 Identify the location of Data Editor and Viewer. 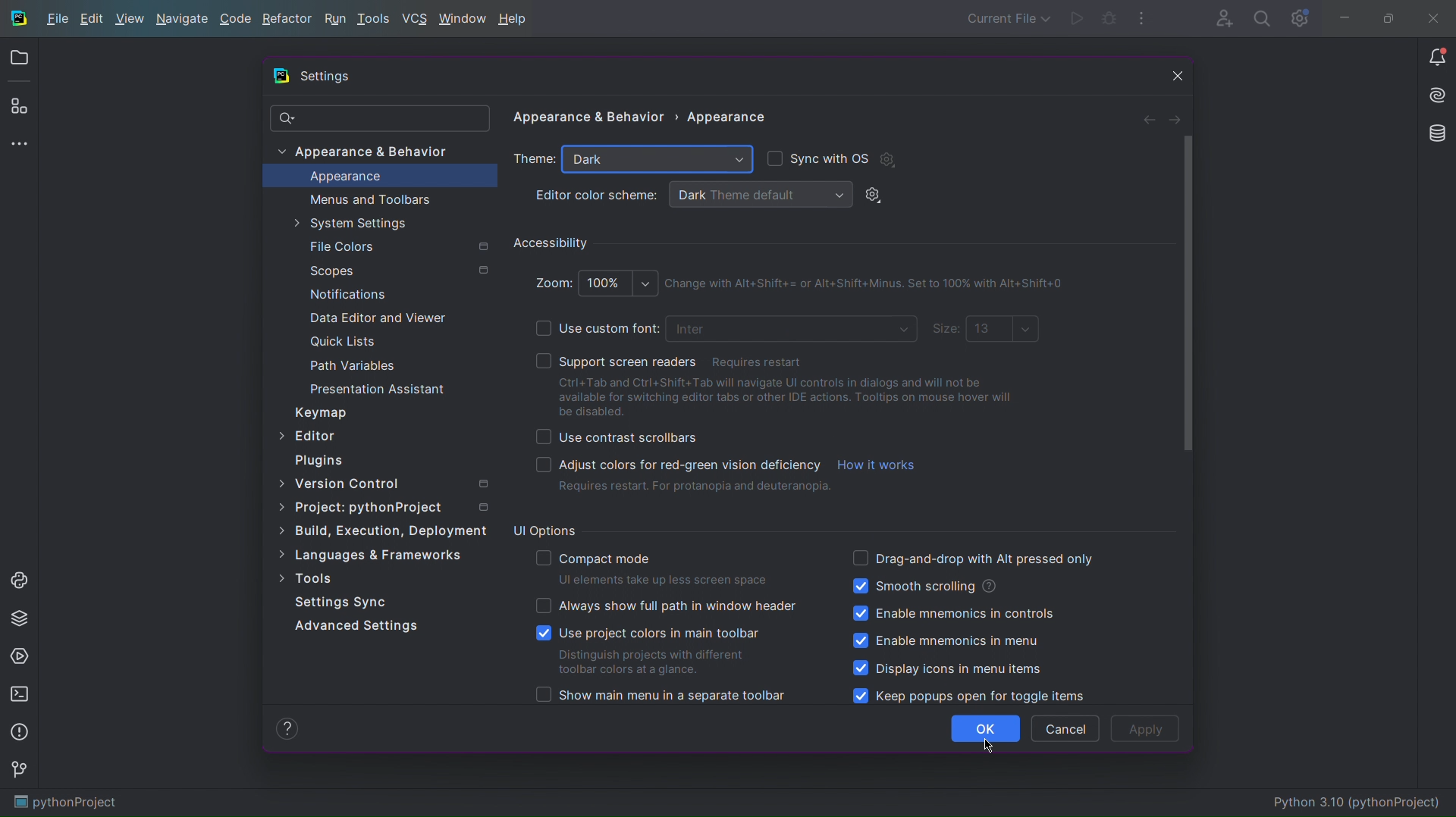
(377, 318).